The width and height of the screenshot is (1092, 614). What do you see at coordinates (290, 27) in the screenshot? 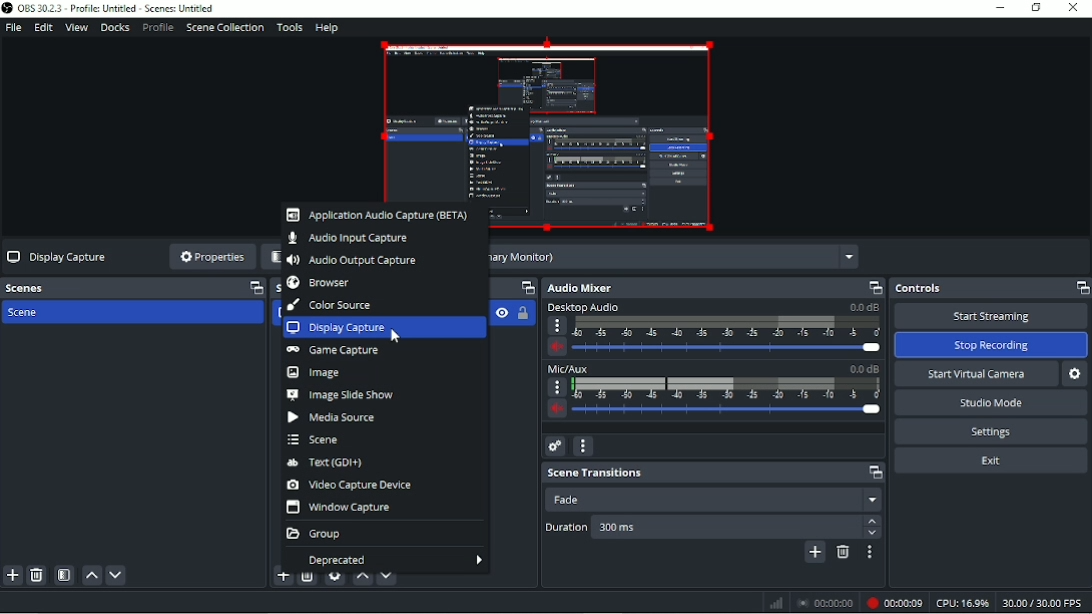
I see `Tools` at bounding box center [290, 27].